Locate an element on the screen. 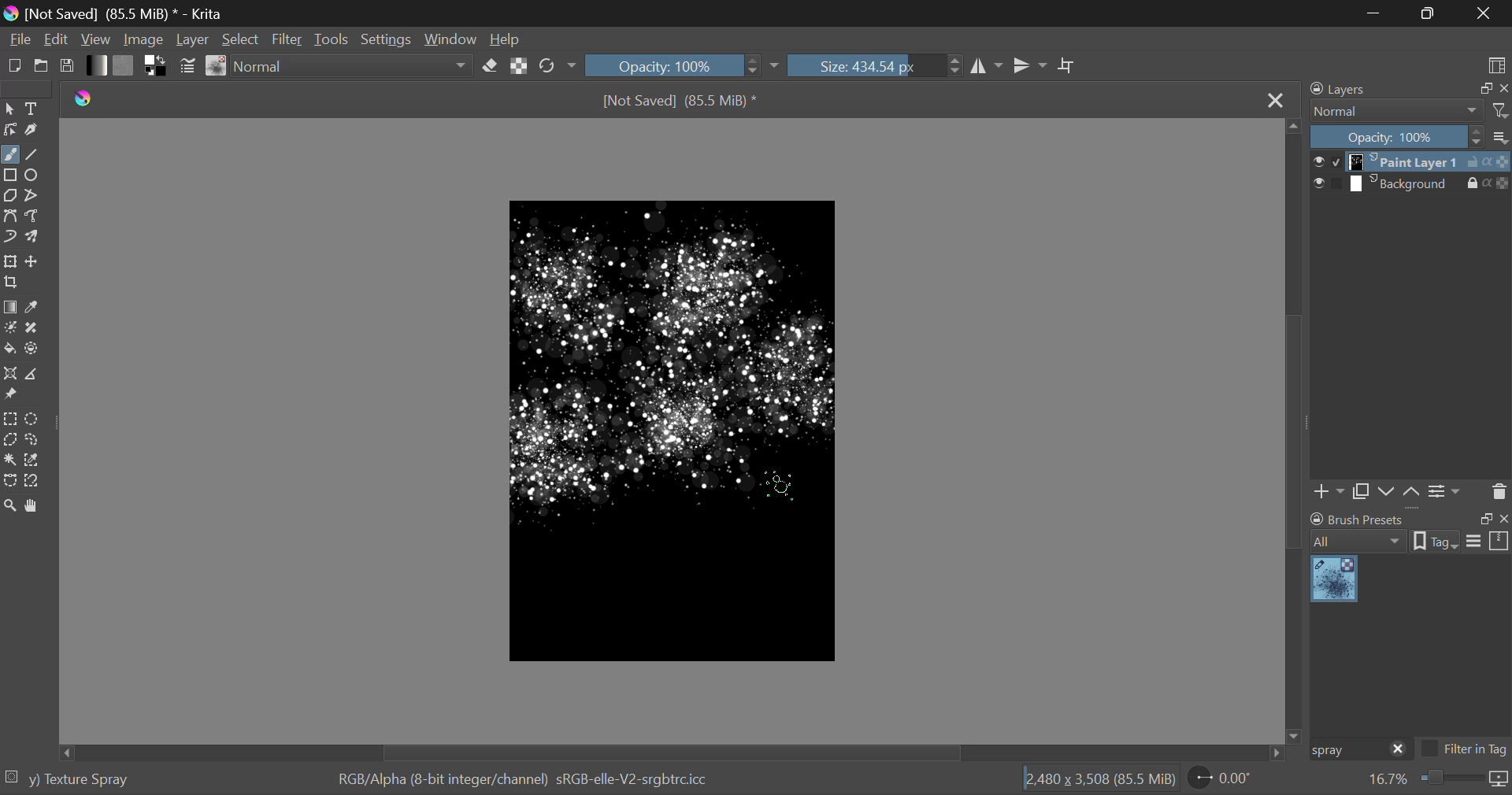 The width and height of the screenshot is (1512, 795). Brush Settings is located at coordinates (188, 68).